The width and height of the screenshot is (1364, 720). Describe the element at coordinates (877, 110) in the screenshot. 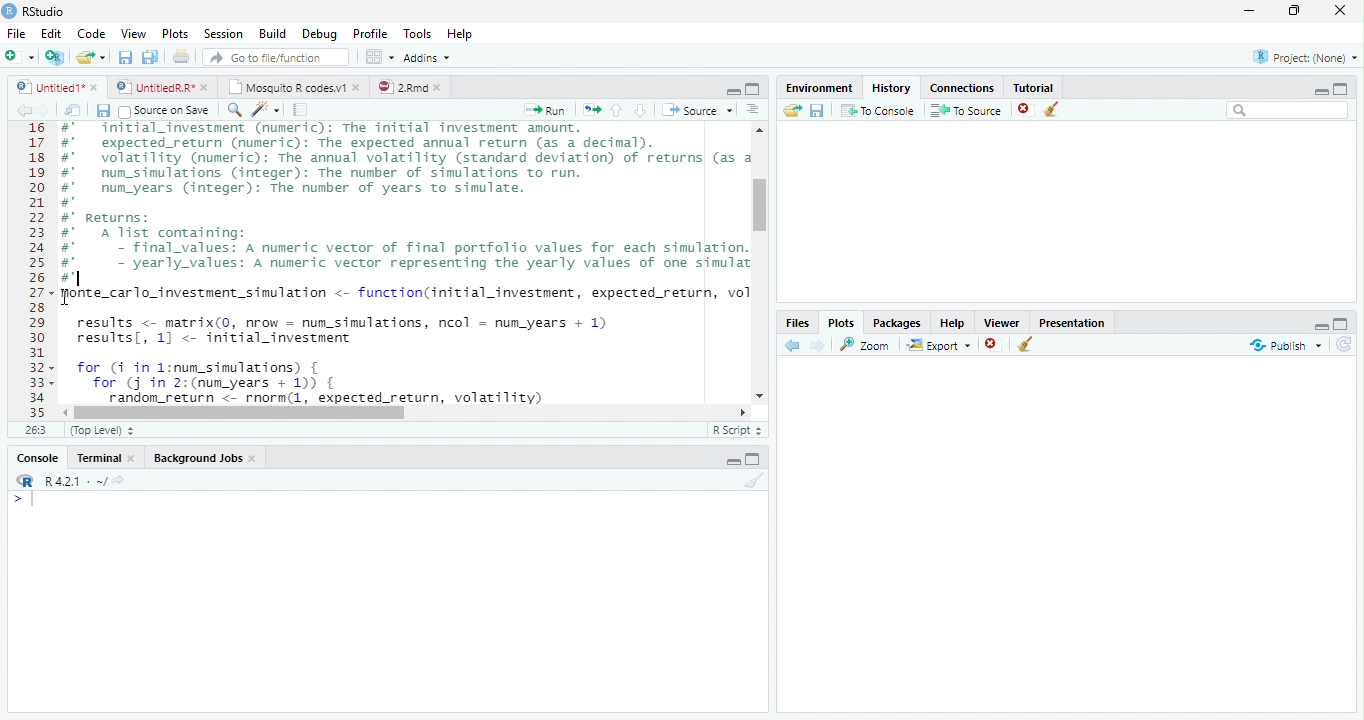

I see `To Console` at that location.